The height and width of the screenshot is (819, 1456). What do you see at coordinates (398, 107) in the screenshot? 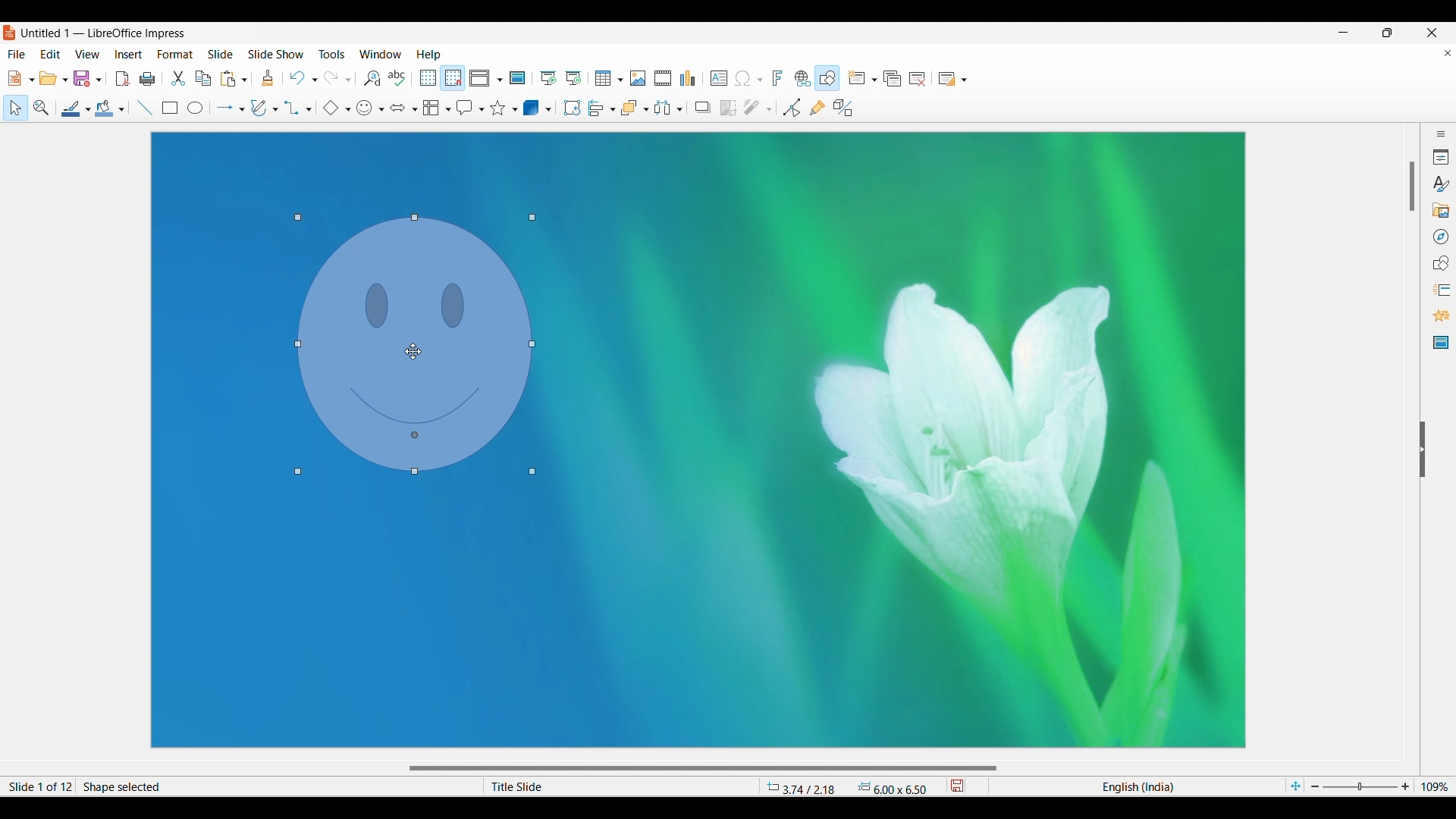
I see `Selected block arrow` at bounding box center [398, 107].